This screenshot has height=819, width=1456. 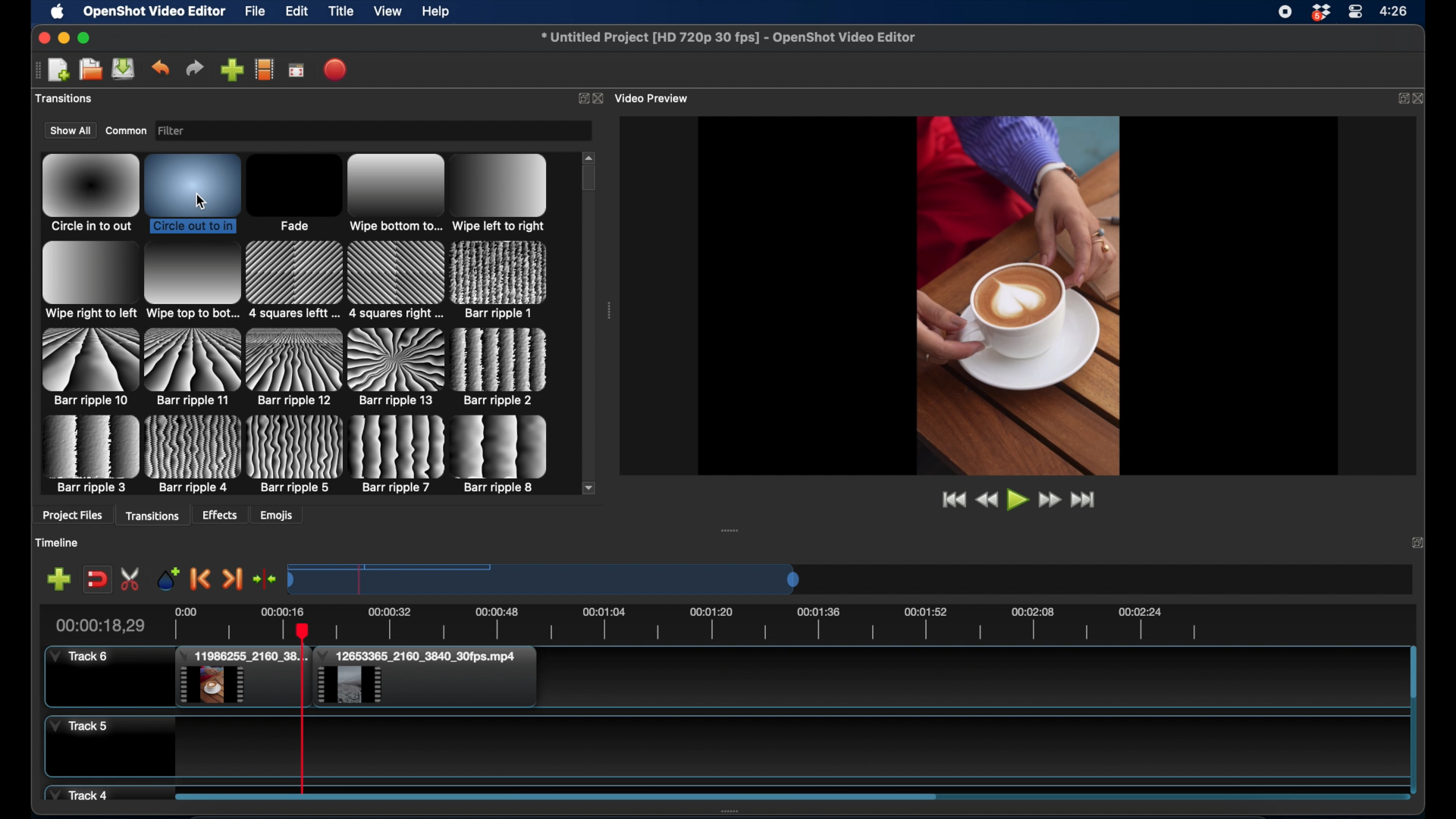 I want to click on transition, so click(x=90, y=193).